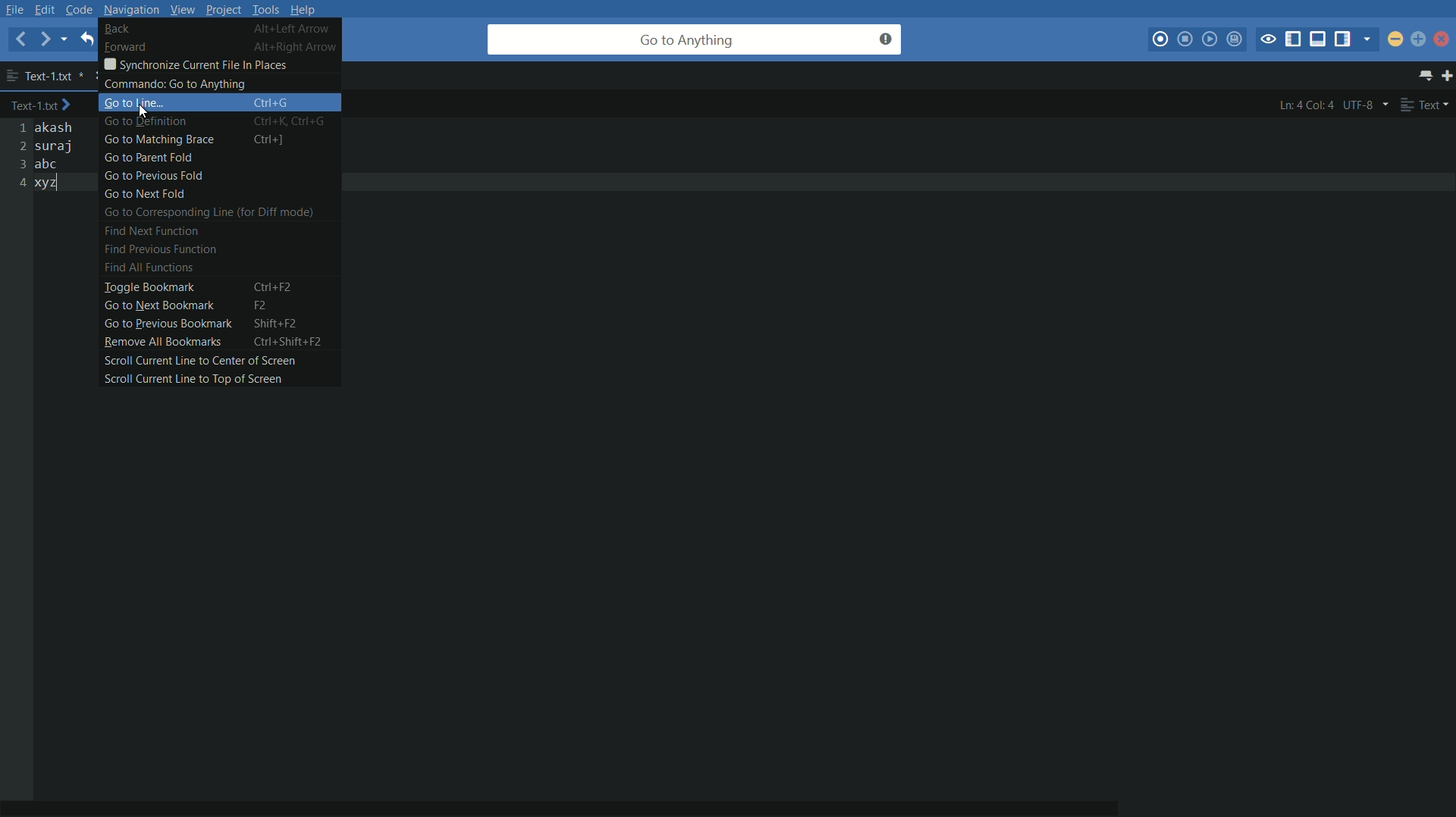 Image resolution: width=1456 pixels, height=817 pixels. I want to click on back, so click(117, 29).